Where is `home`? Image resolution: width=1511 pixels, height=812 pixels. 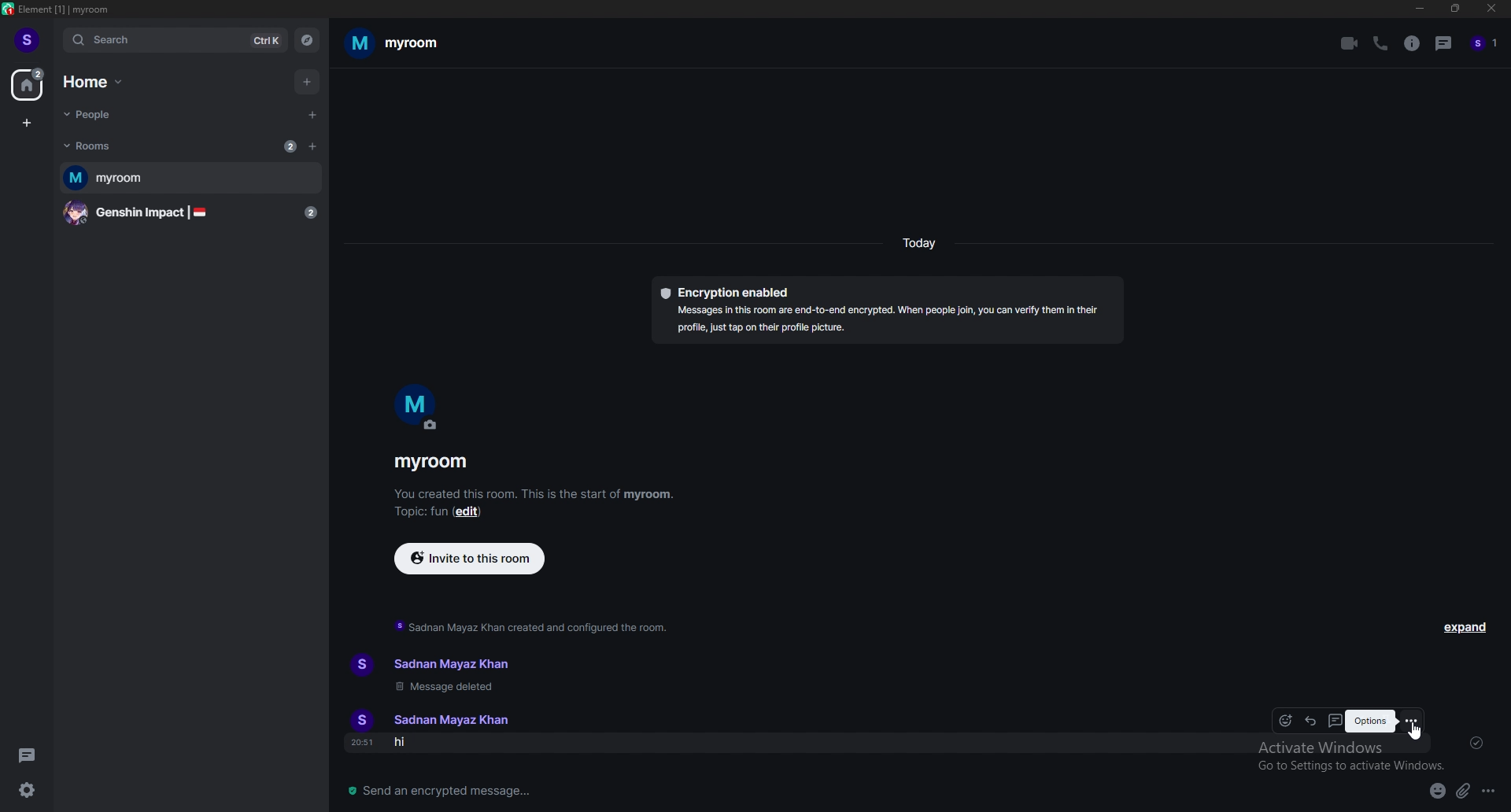 home is located at coordinates (29, 84).